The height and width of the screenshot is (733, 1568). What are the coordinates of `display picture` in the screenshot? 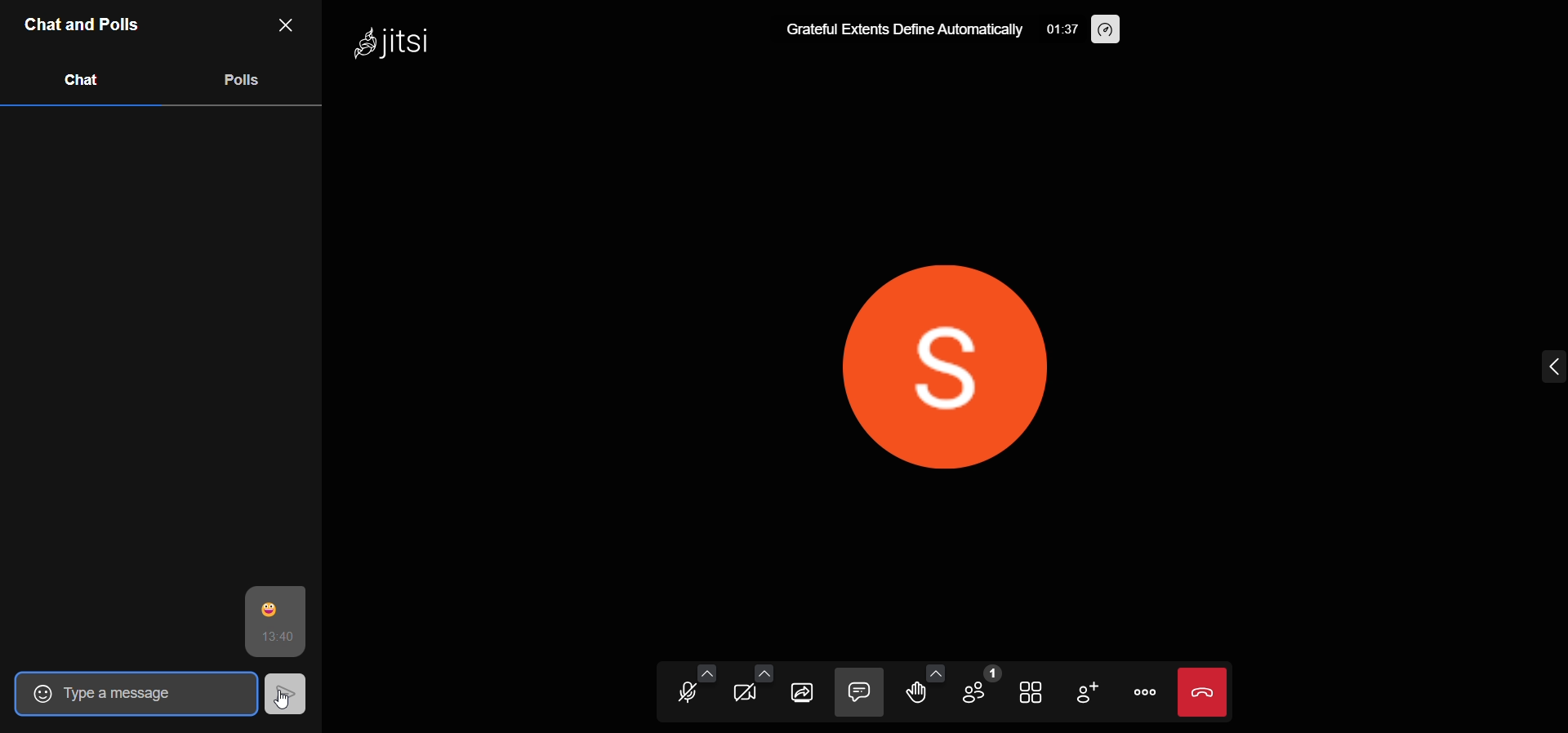 It's located at (921, 367).